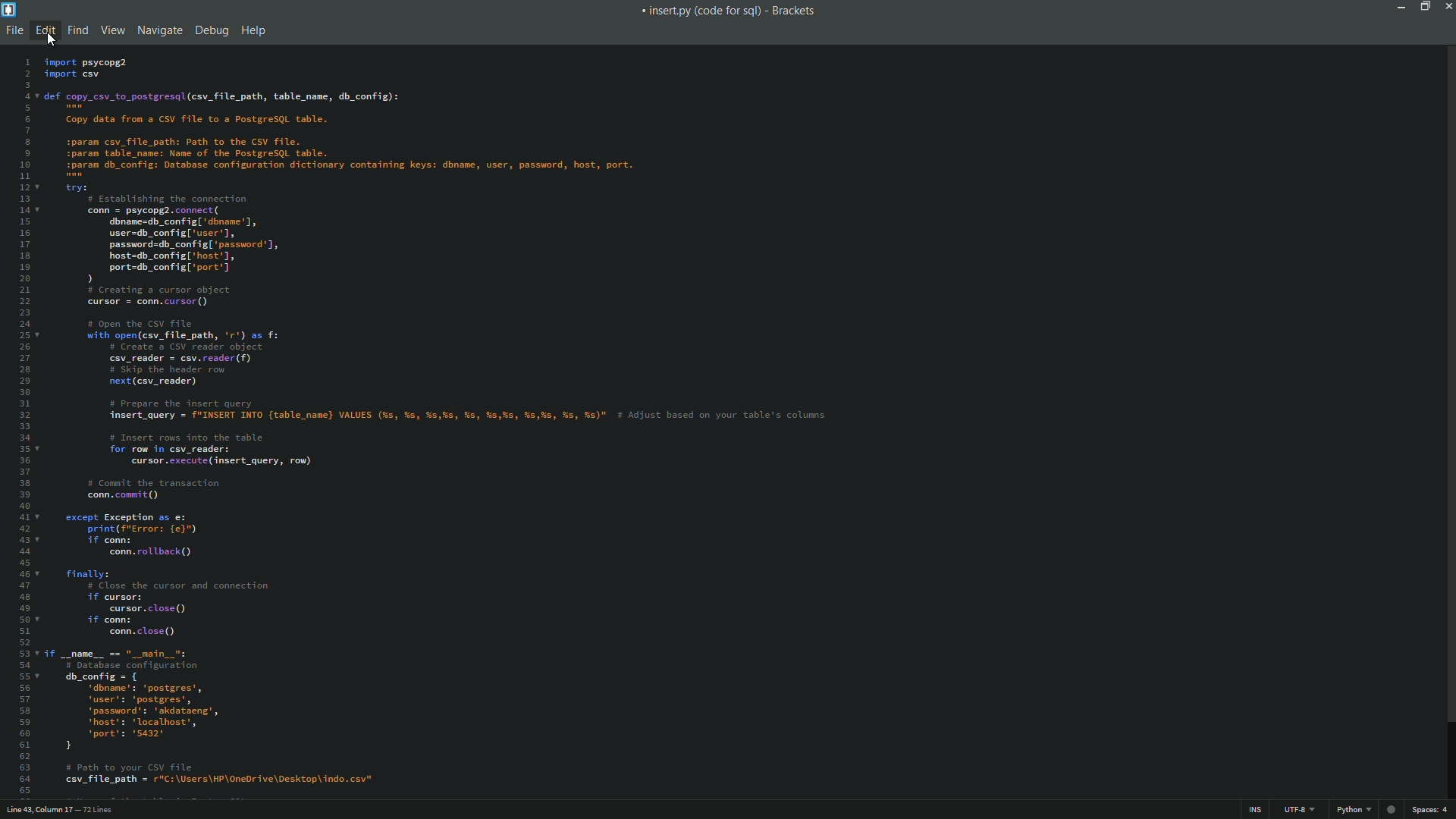 The width and height of the screenshot is (1456, 819). Describe the element at coordinates (1255, 811) in the screenshot. I see `ins` at that location.